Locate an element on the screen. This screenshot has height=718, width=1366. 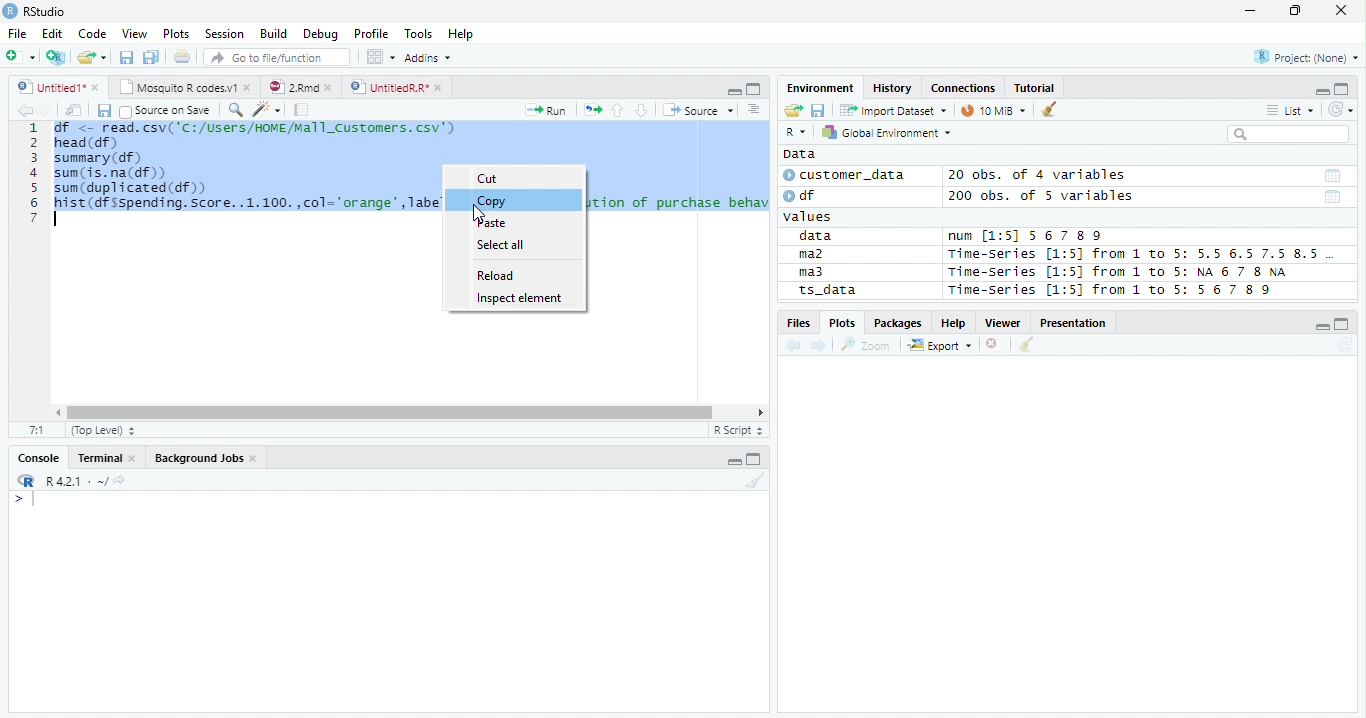
Search is located at coordinates (1286, 134).